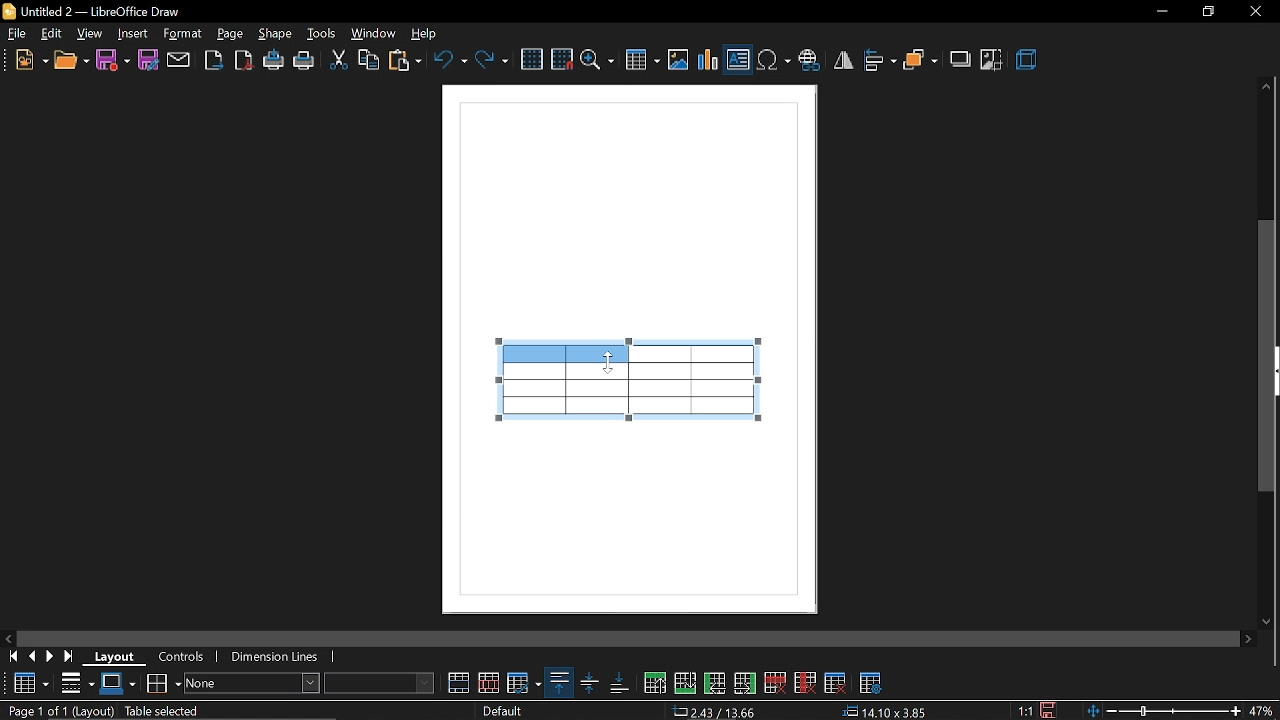 The height and width of the screenshot is (720, 1280). What do you see at coordinates (322, 33) in the screenshot?
I see `tools` at bounding box center [322, 33].